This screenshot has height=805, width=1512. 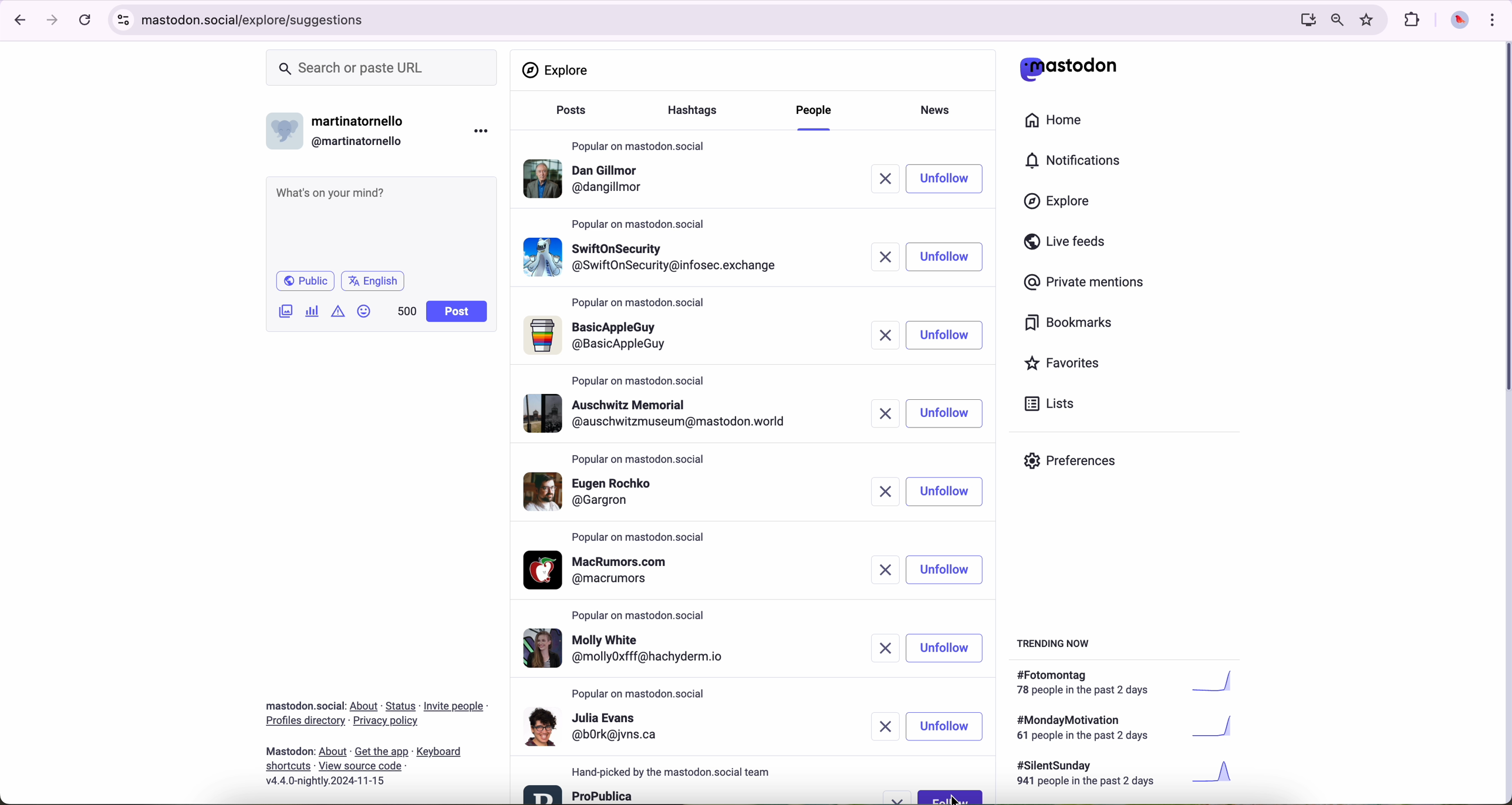 What do you see at coordinates (640, 694) in the screenshot?
I see `popular on mastodon.social` at bounding box center [640, 694].